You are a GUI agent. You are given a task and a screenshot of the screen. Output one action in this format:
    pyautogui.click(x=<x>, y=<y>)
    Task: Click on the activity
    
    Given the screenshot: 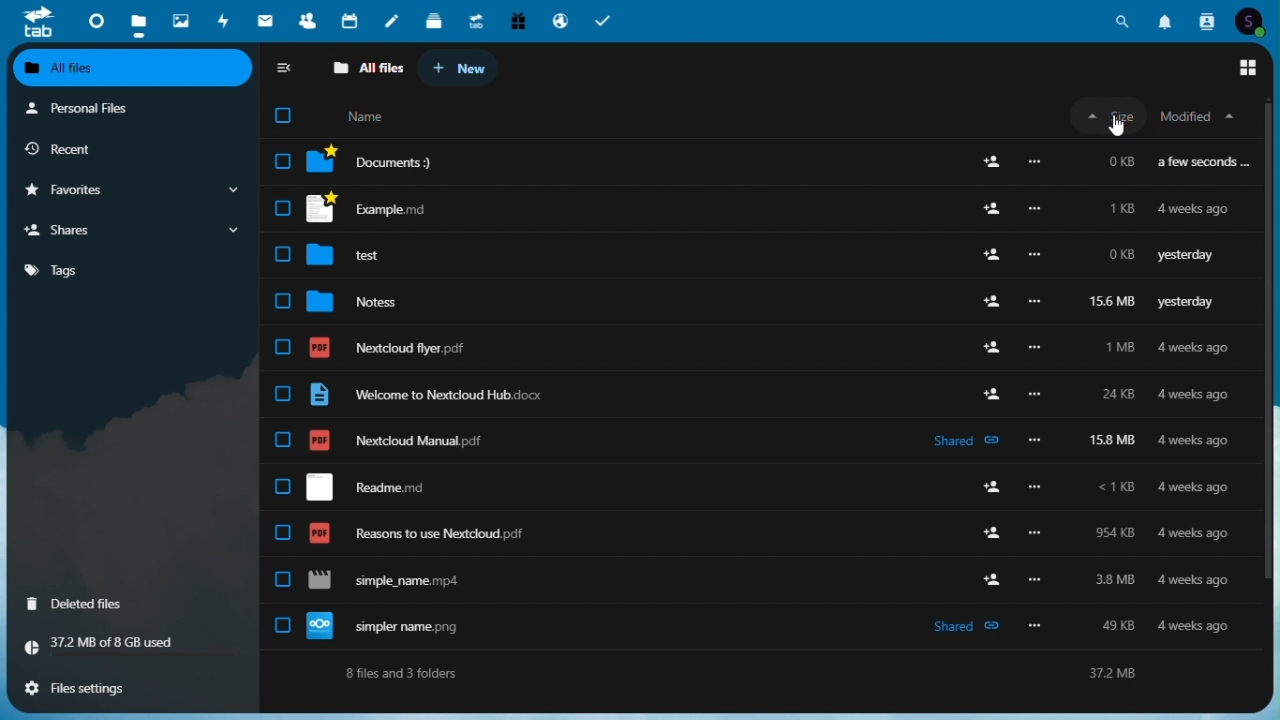 What is the action you would take?
    pyautogui.click(x=223, y=21)
    